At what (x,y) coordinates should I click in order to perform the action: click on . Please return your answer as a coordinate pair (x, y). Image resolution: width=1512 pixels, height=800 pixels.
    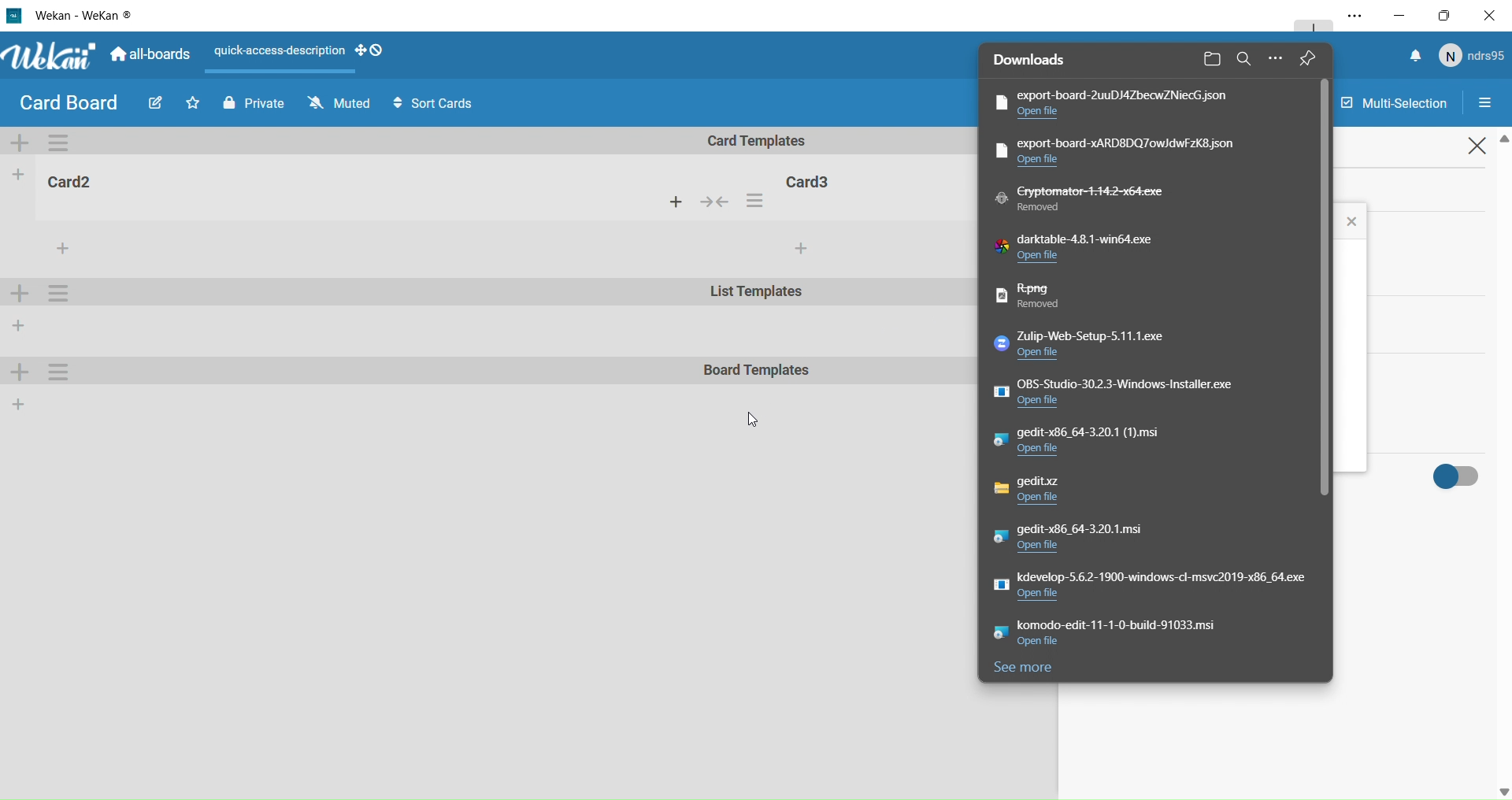
    Looking at the image, I should click on (53, 55).